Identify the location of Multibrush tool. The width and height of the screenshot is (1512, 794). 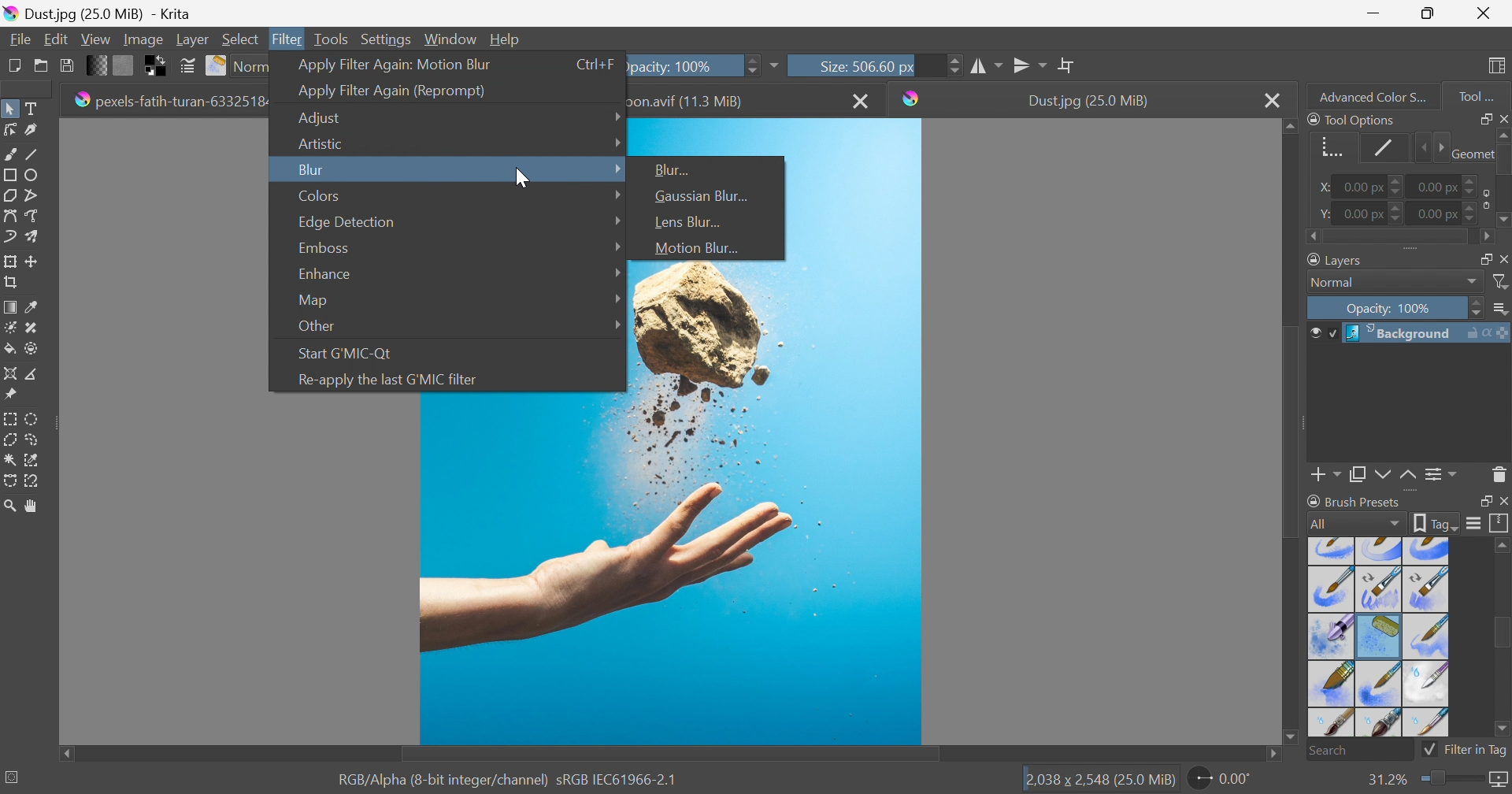
(37, 236).